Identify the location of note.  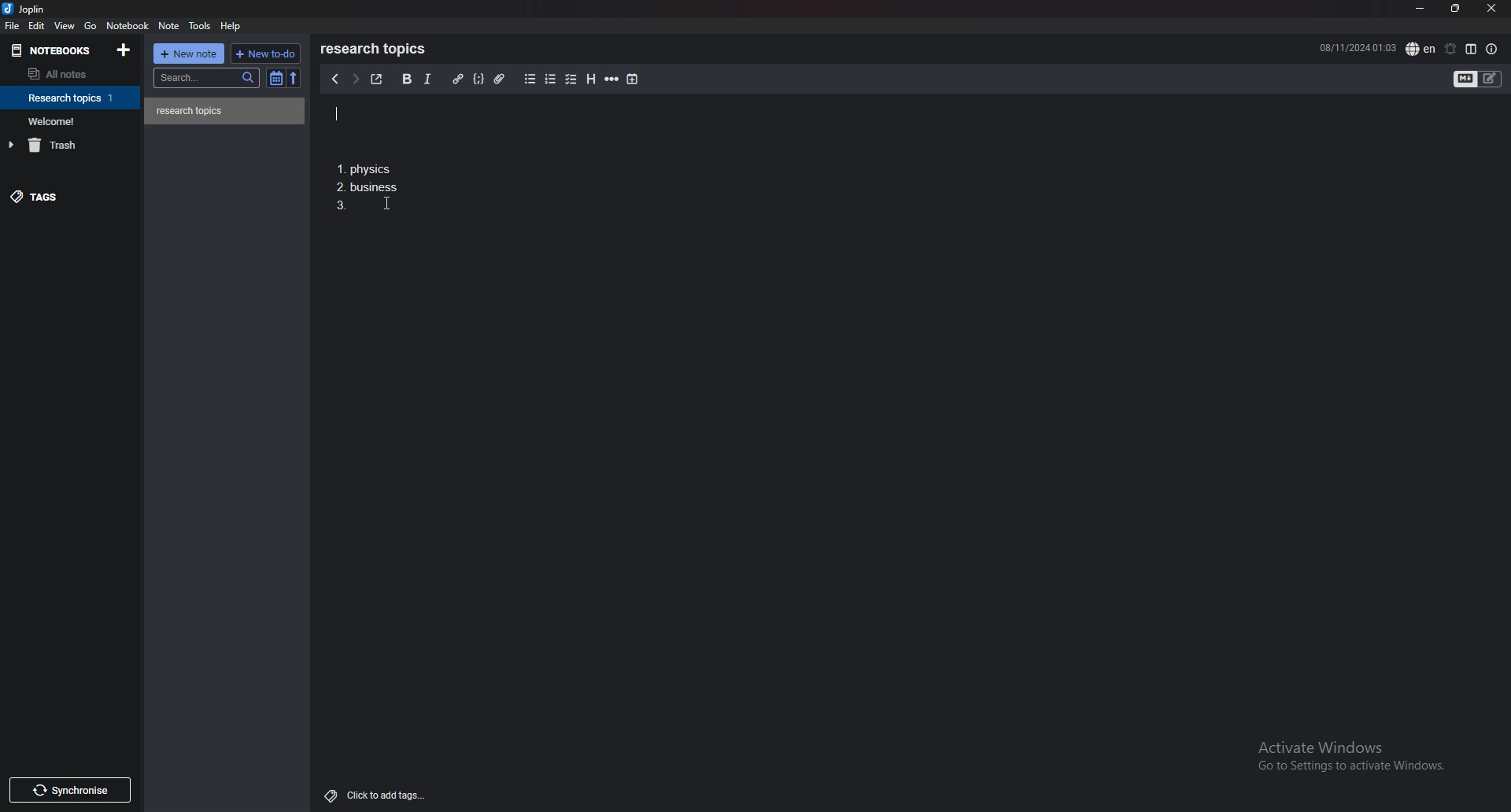
(168, 26).